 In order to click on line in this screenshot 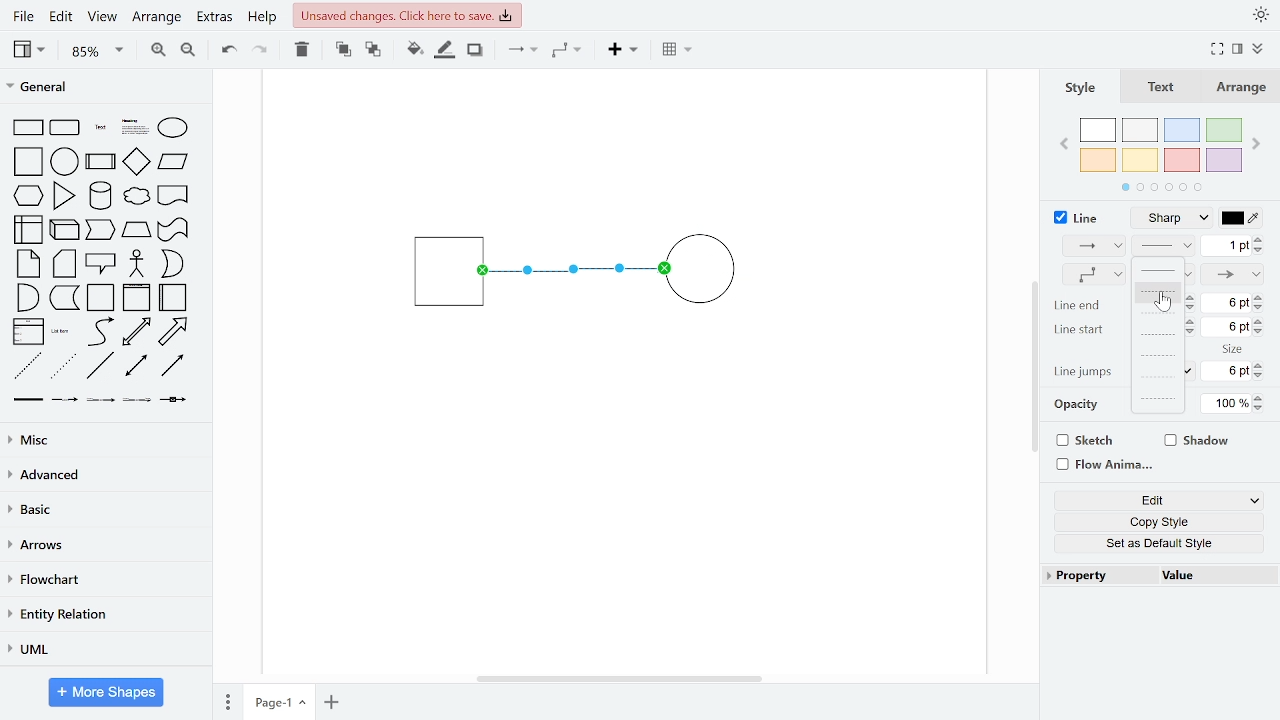, I will do `click(1077, 218)`.